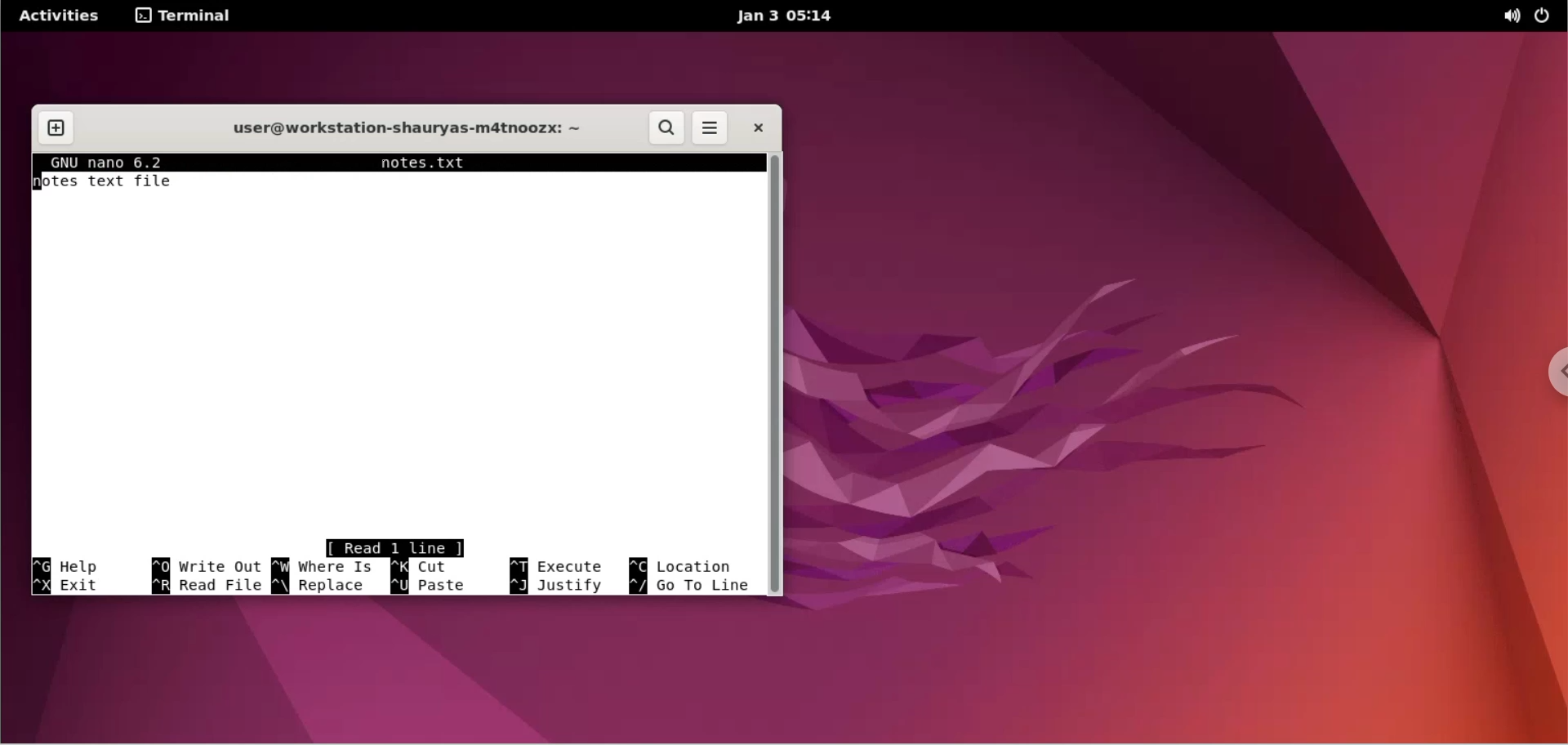 The height and width of the screenshot is (745, 1568). What do you see at coordinates (778, 376) in the screenshot?
I see `scrollbar ` at bounding box center [778, 376].